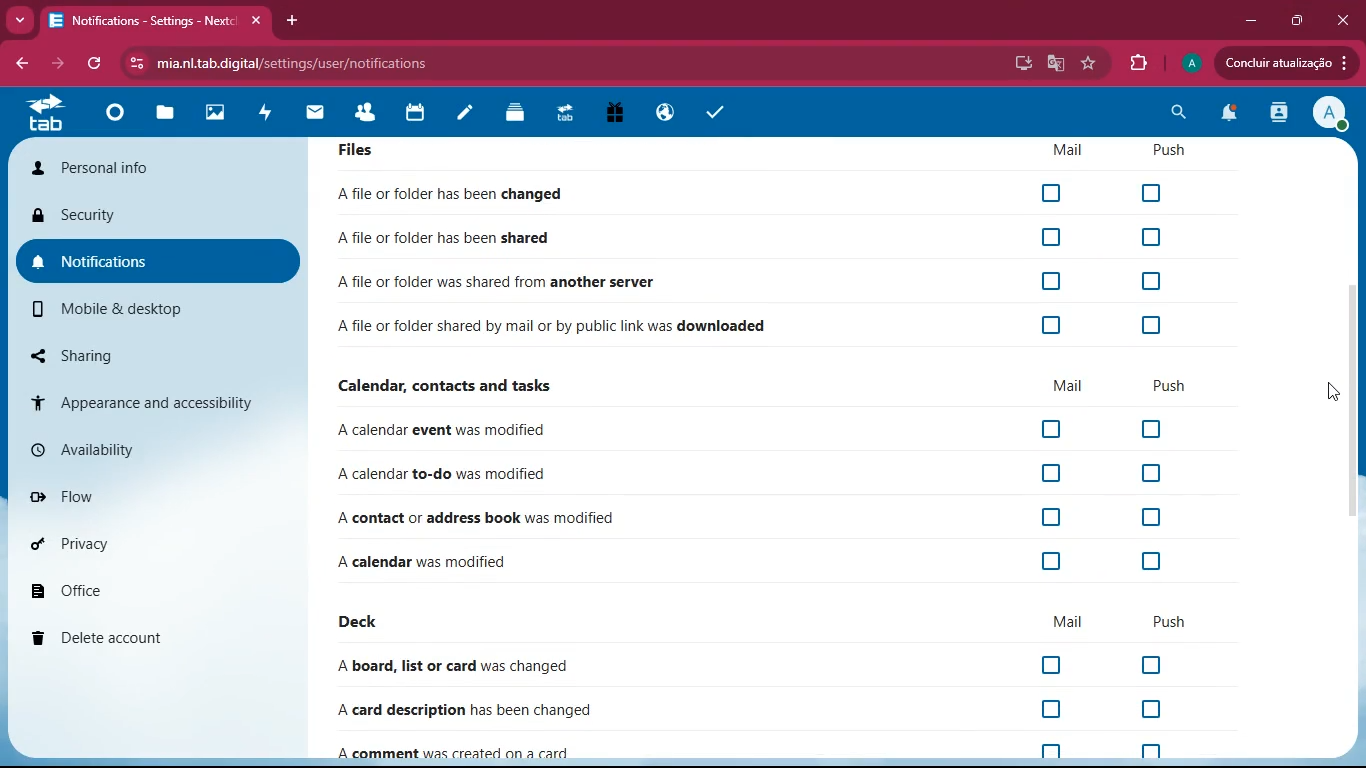 This screenshot has width=1366, height=768. What do you see at coordinates (417, 116) in the screenshot?
I see `calendar` at bounding box center [417, 116].